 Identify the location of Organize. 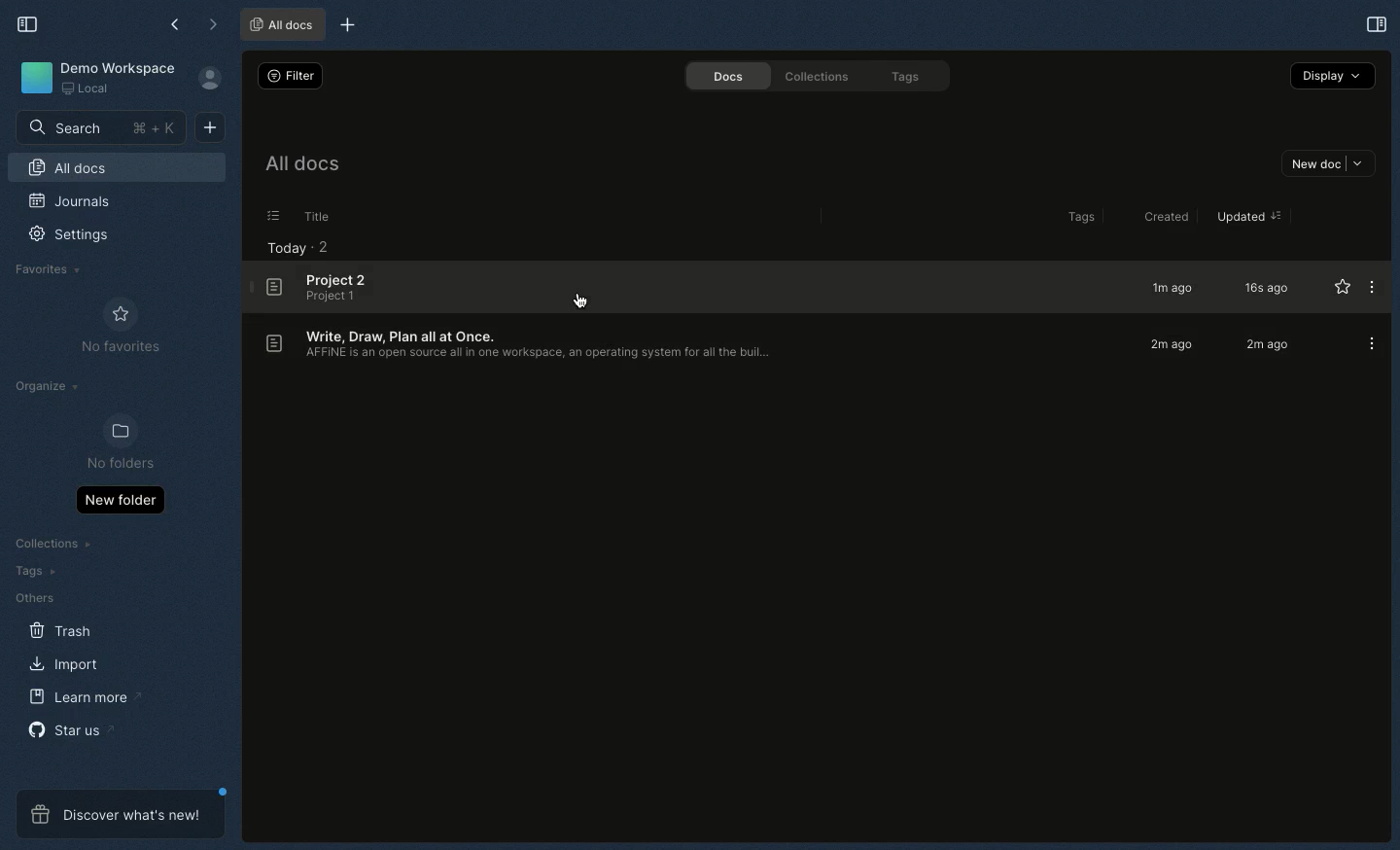
(51, 385).